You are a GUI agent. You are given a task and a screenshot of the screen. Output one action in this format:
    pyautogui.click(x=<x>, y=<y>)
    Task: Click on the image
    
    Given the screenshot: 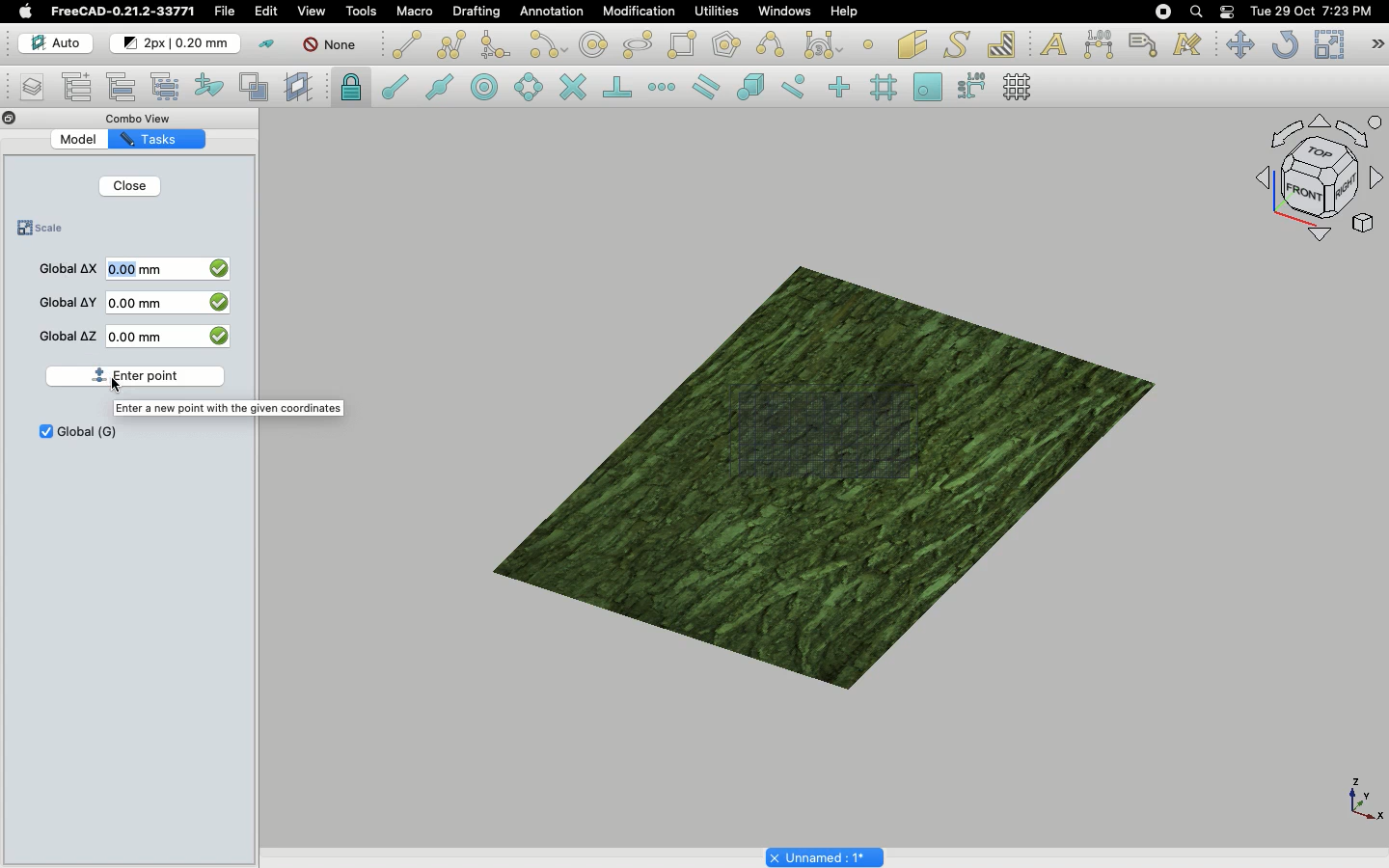 What is the action you would take?
    pyautogui.click(x=787, y=474)
    